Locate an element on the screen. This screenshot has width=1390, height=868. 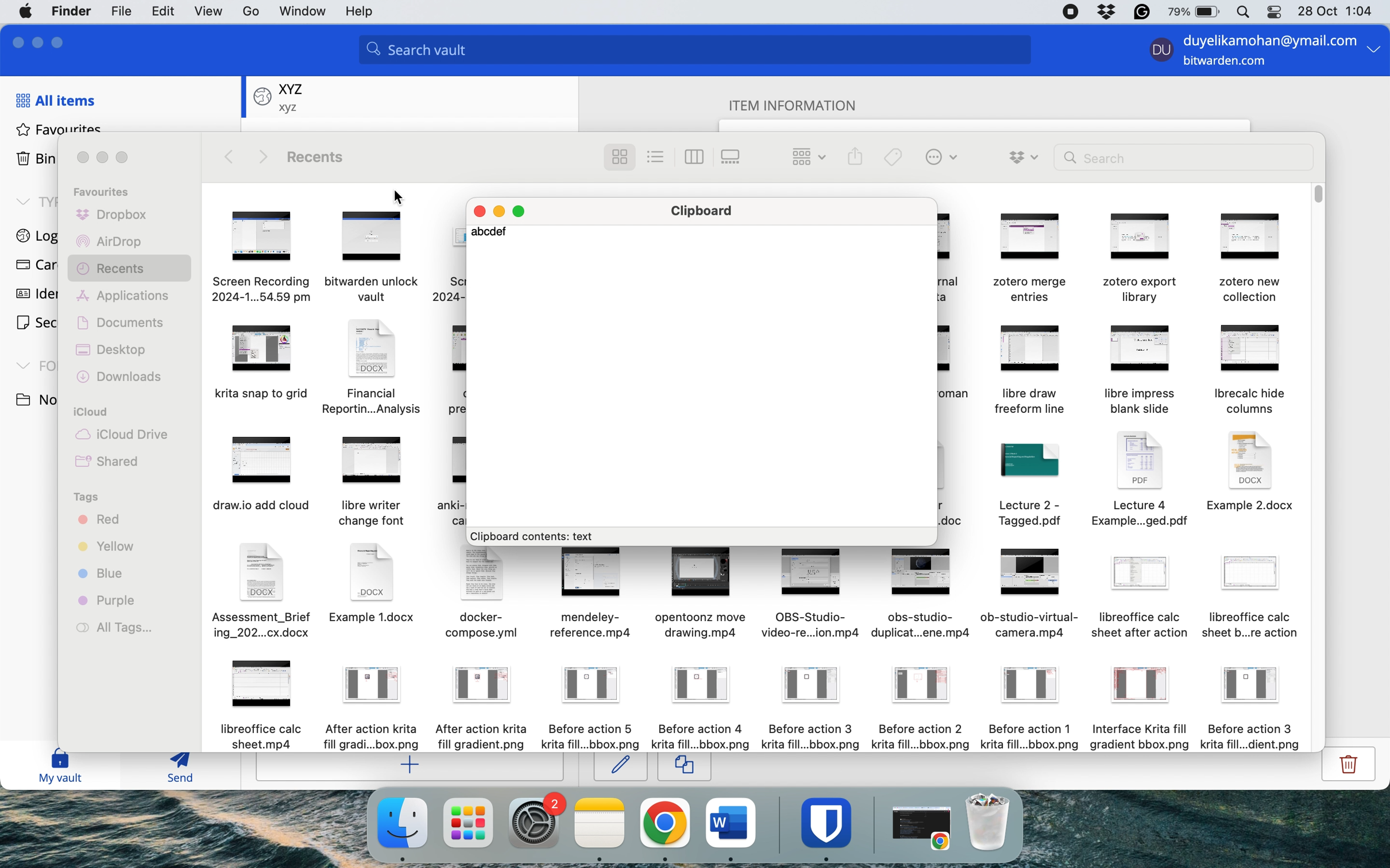
vertical scroll bar is located at coordinates (1318, 195).